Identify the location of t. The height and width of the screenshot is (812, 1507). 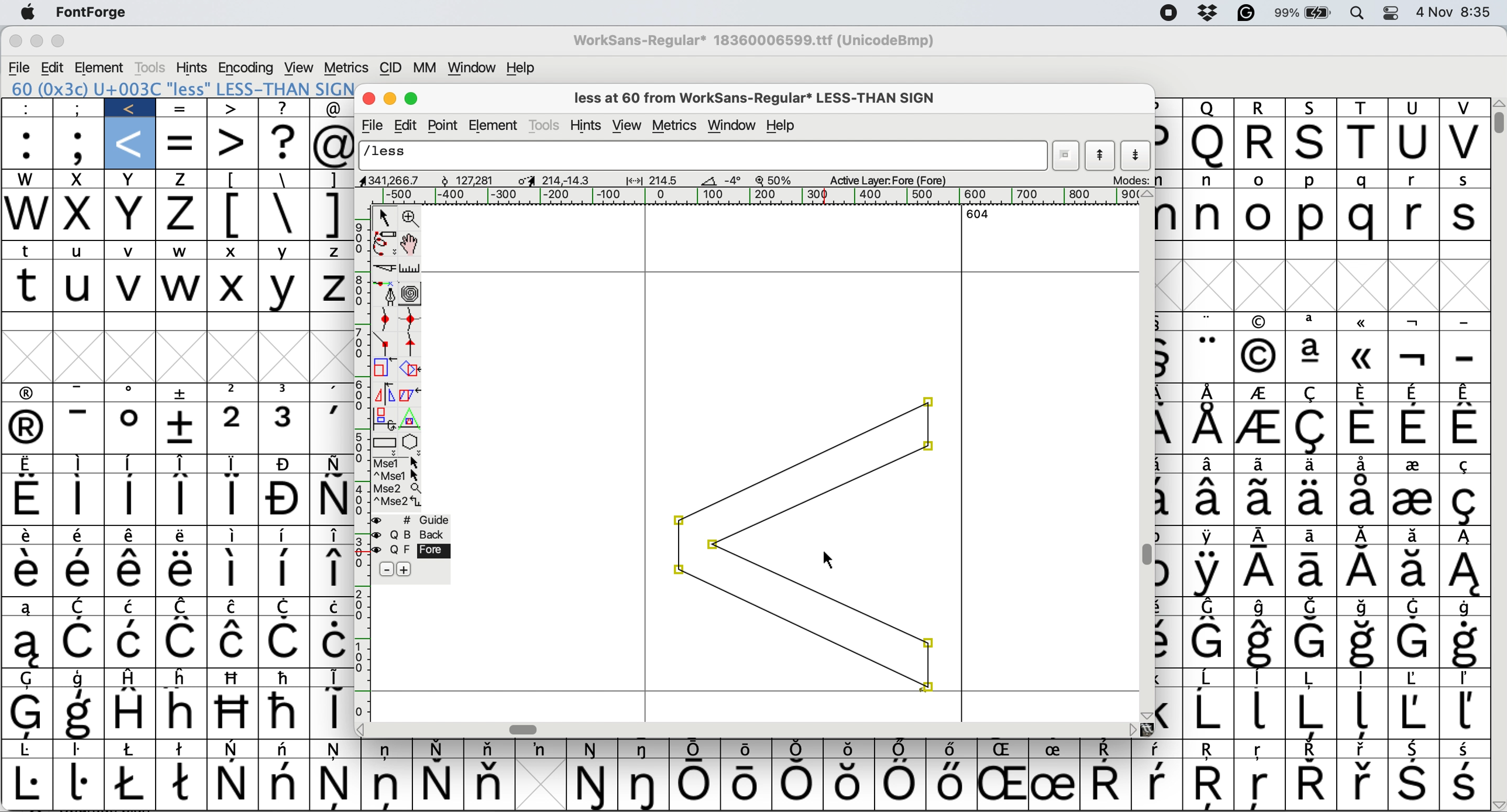
(32, 252).